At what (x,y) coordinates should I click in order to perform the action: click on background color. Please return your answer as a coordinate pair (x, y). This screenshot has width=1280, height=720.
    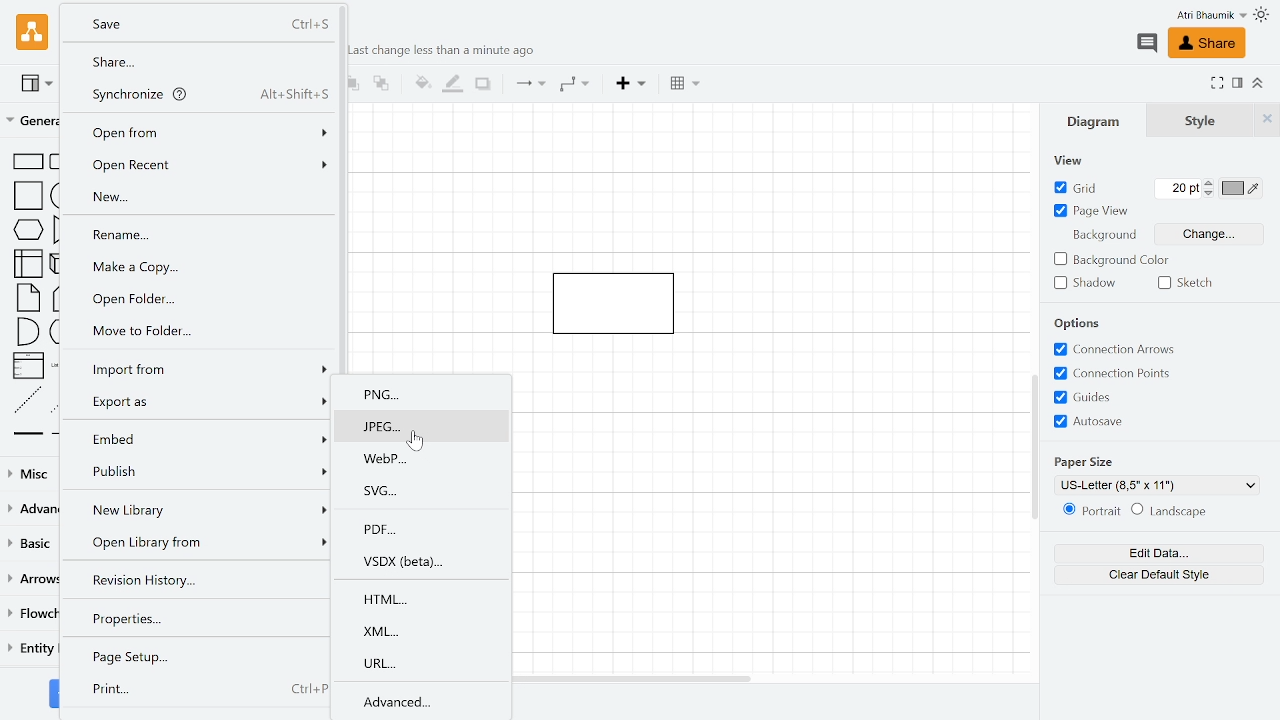
    Looking at the image, I should click on (1110, 261).